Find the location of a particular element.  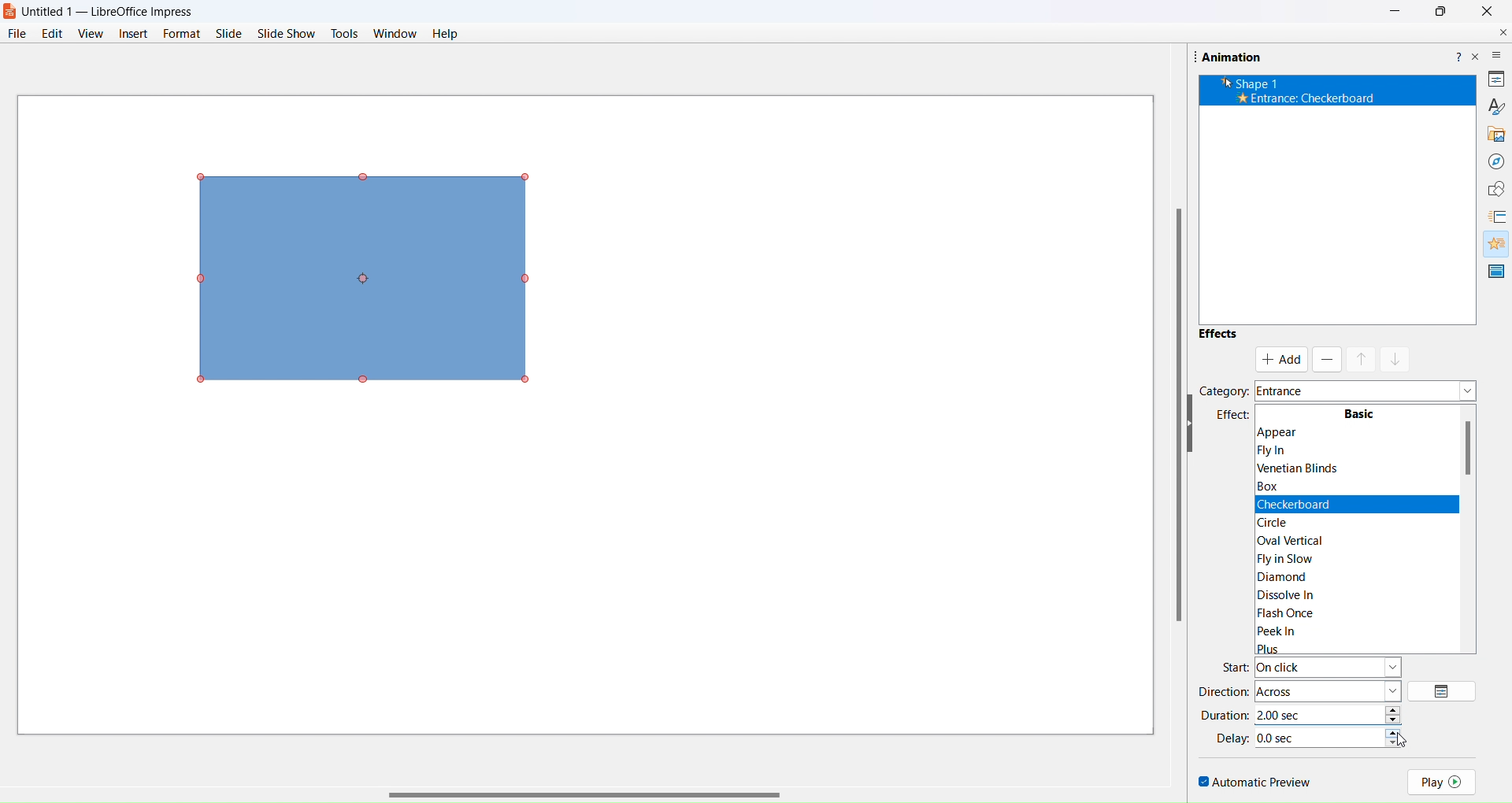

remove is located at coordinates (1326, 361).